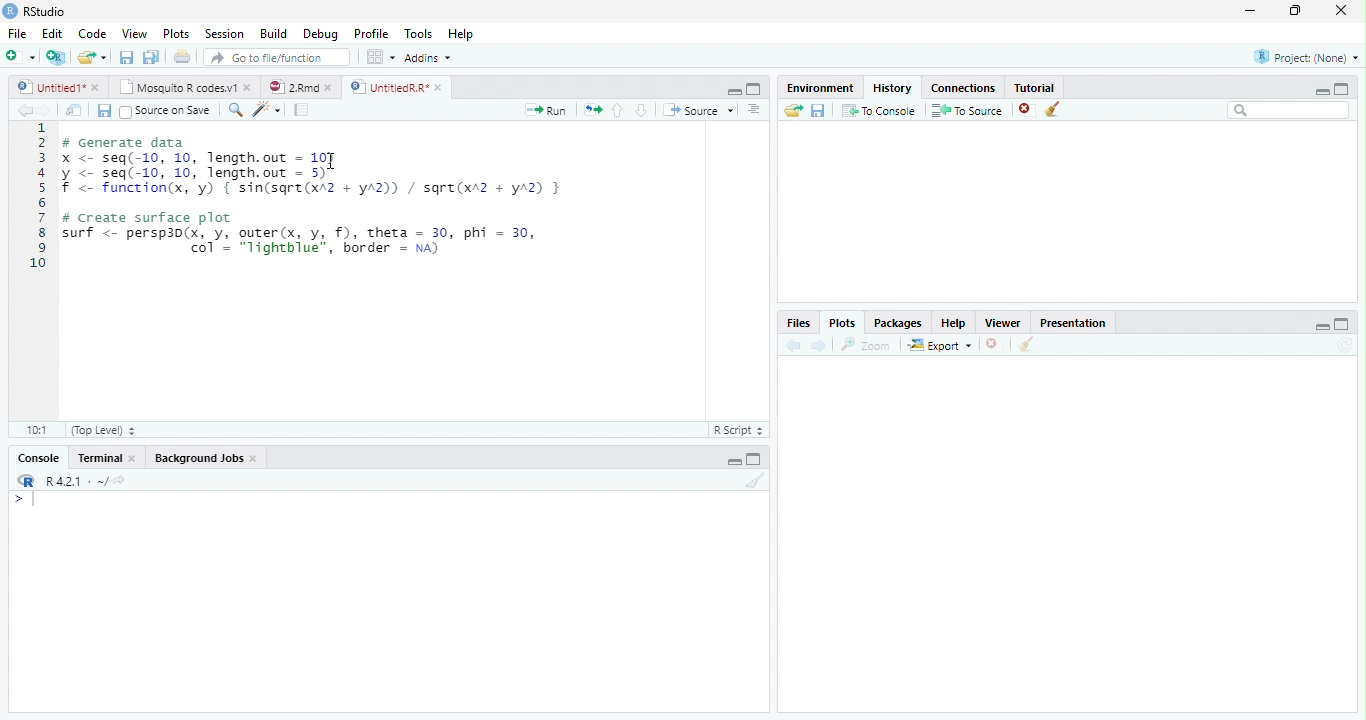 This screenshot has height=720, width=1366. What do you see at coordinates (24, 502) in the screenshot?
I see `New line` at bounding box center [24, 502].